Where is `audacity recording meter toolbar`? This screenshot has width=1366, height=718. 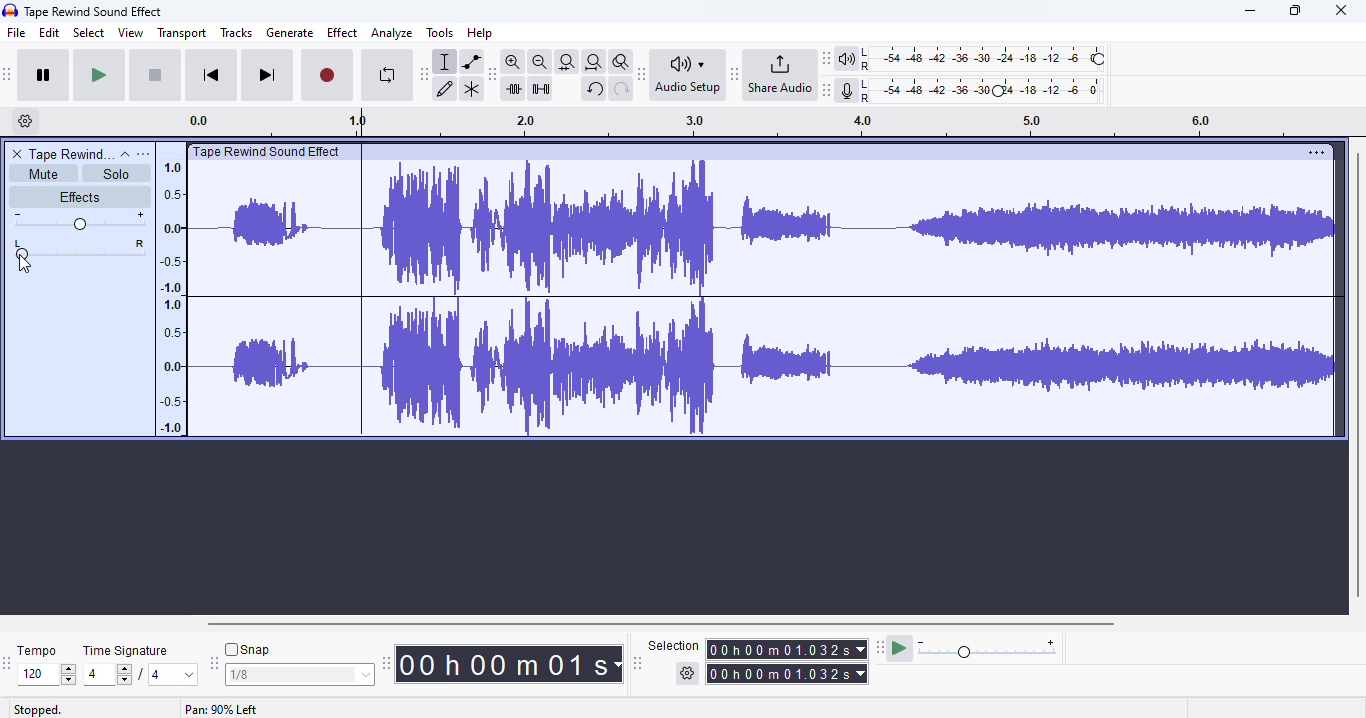
audacity recording meter toolbar is located at coordinates (827, 90).